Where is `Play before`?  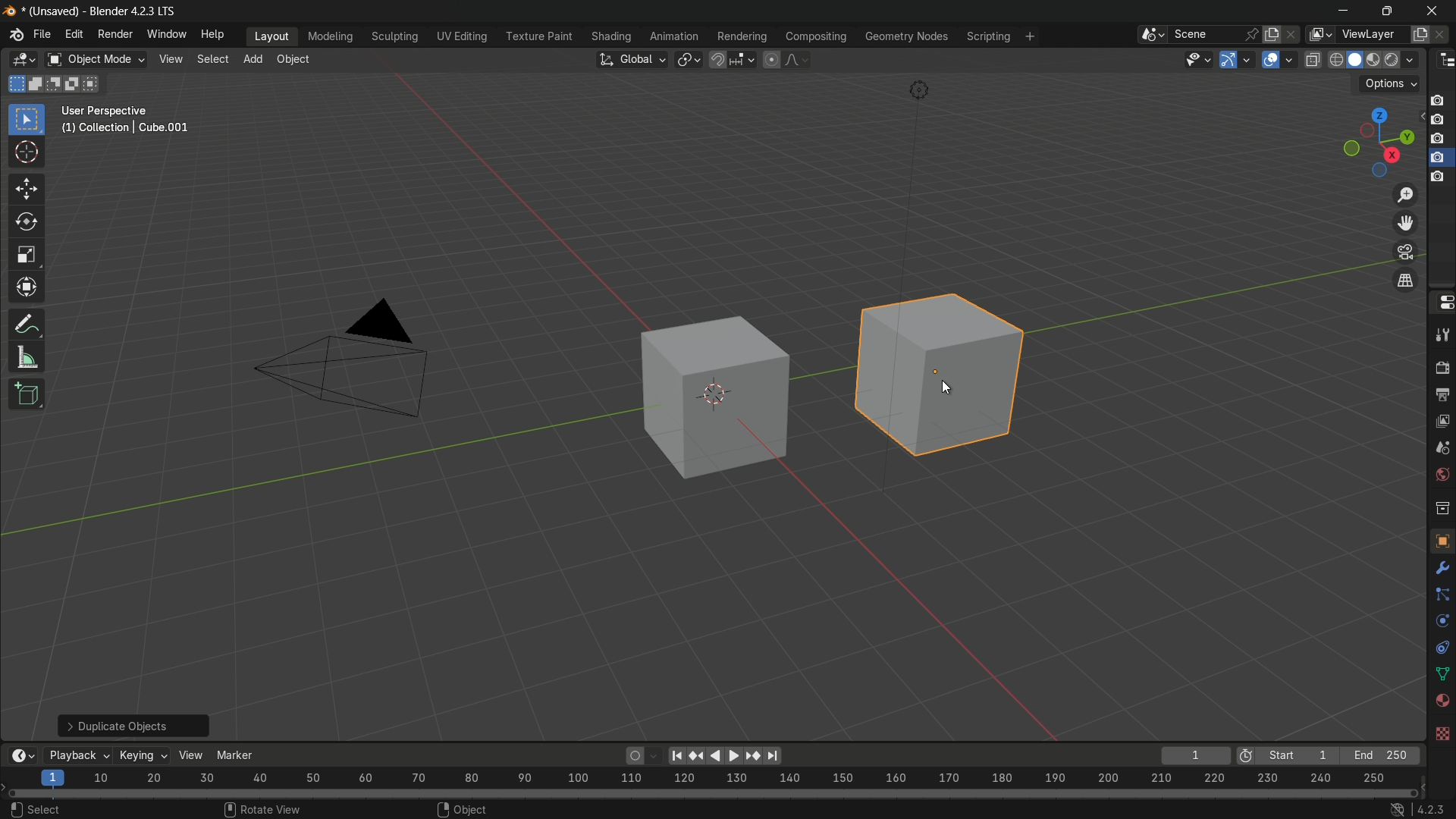 Play before is located at coordinates (697, 756).